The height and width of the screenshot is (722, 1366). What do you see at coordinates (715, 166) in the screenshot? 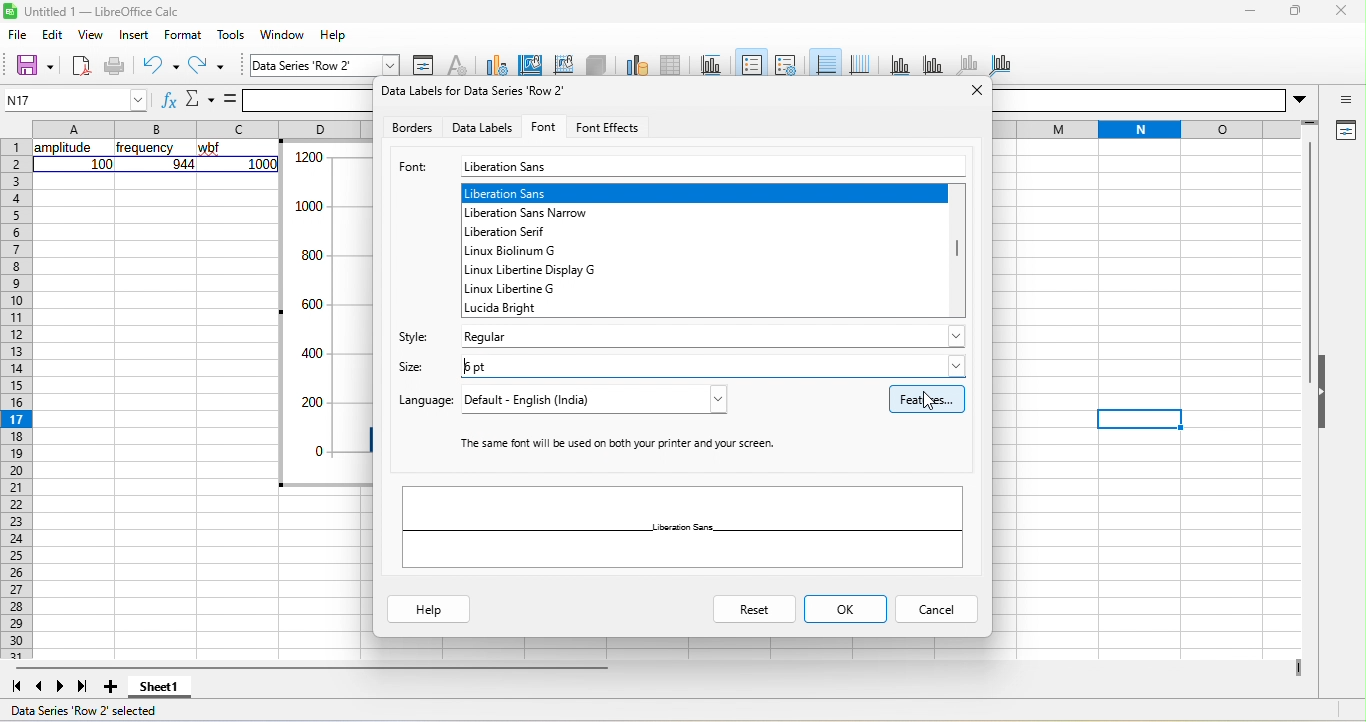
I see `liberation sans` at bounding box center [715, 166].